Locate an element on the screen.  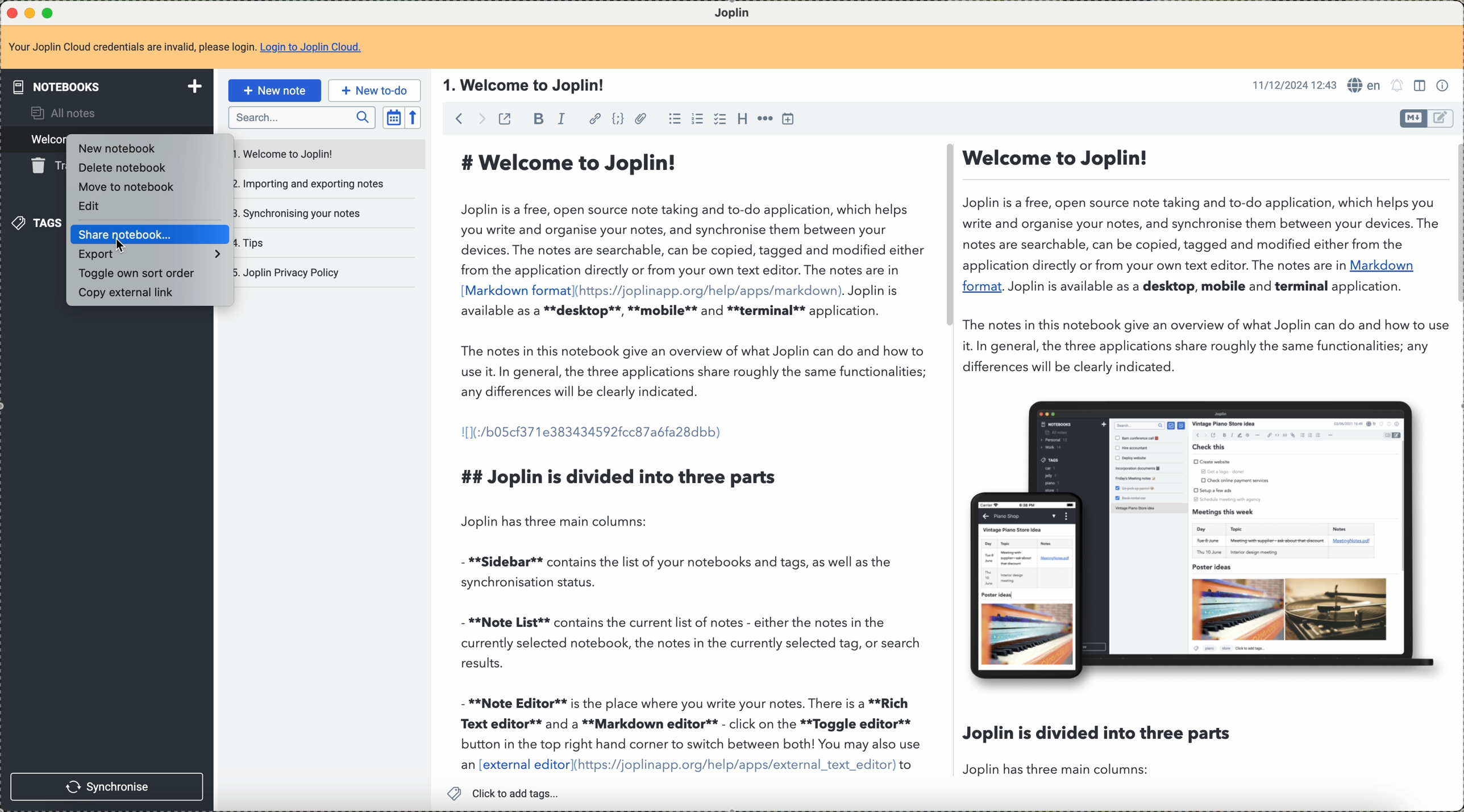
minimize Joplin is located at coordinates (30, 14).